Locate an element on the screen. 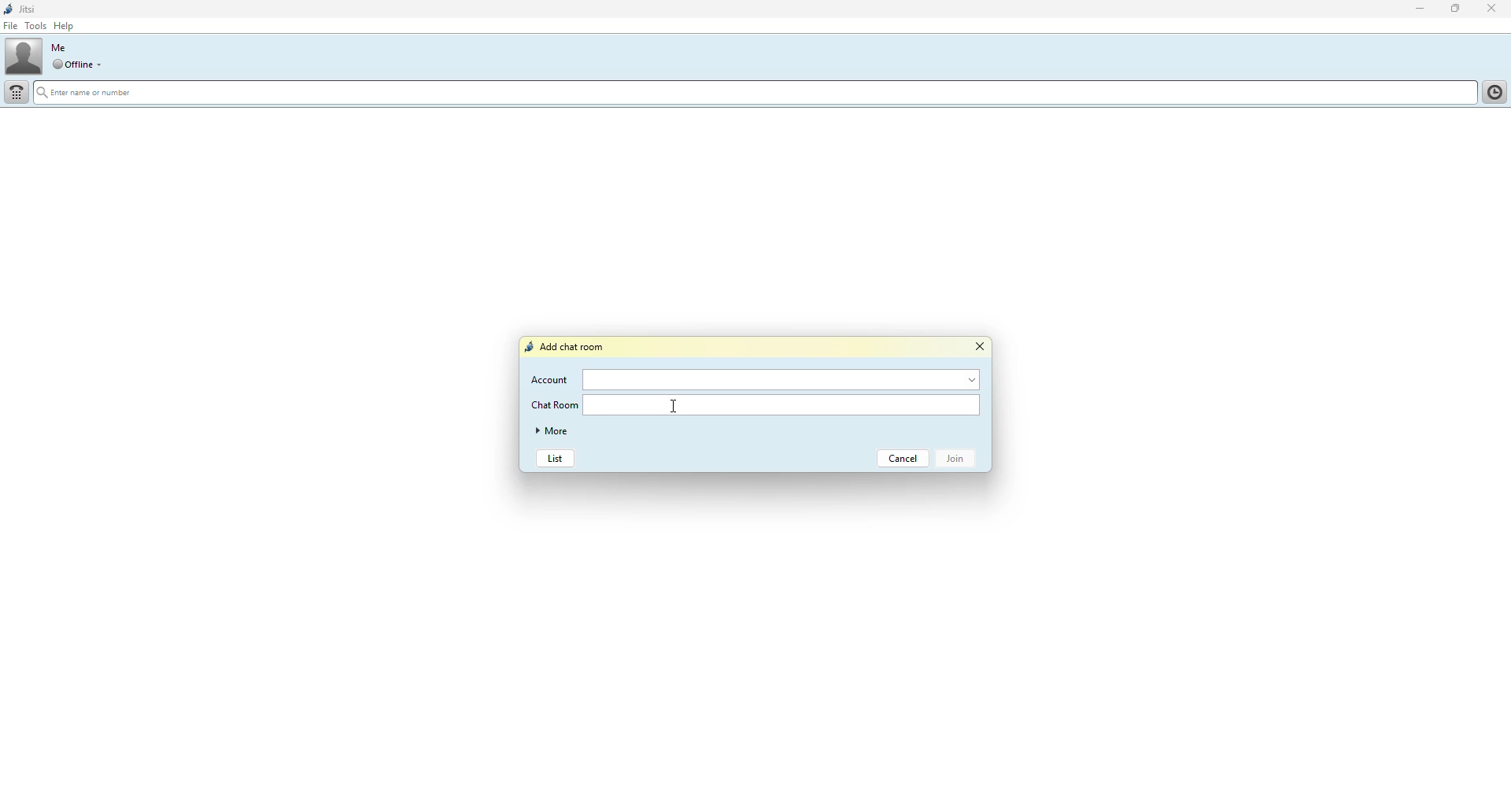 The height and width of the screenshot is (812, 1511). cursor is located at coordinates (673, 406).